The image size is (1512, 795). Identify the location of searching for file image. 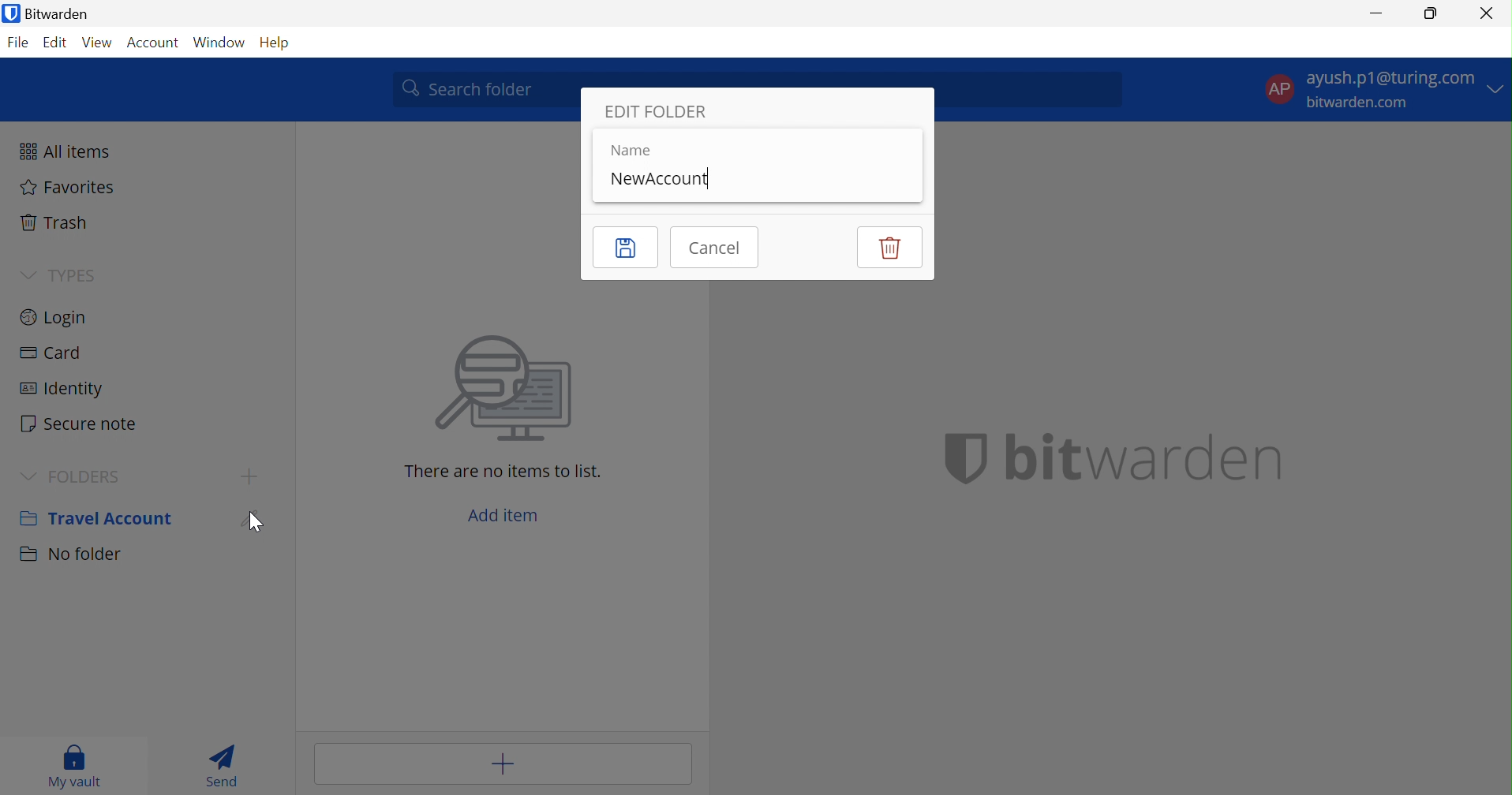
(505, 390).